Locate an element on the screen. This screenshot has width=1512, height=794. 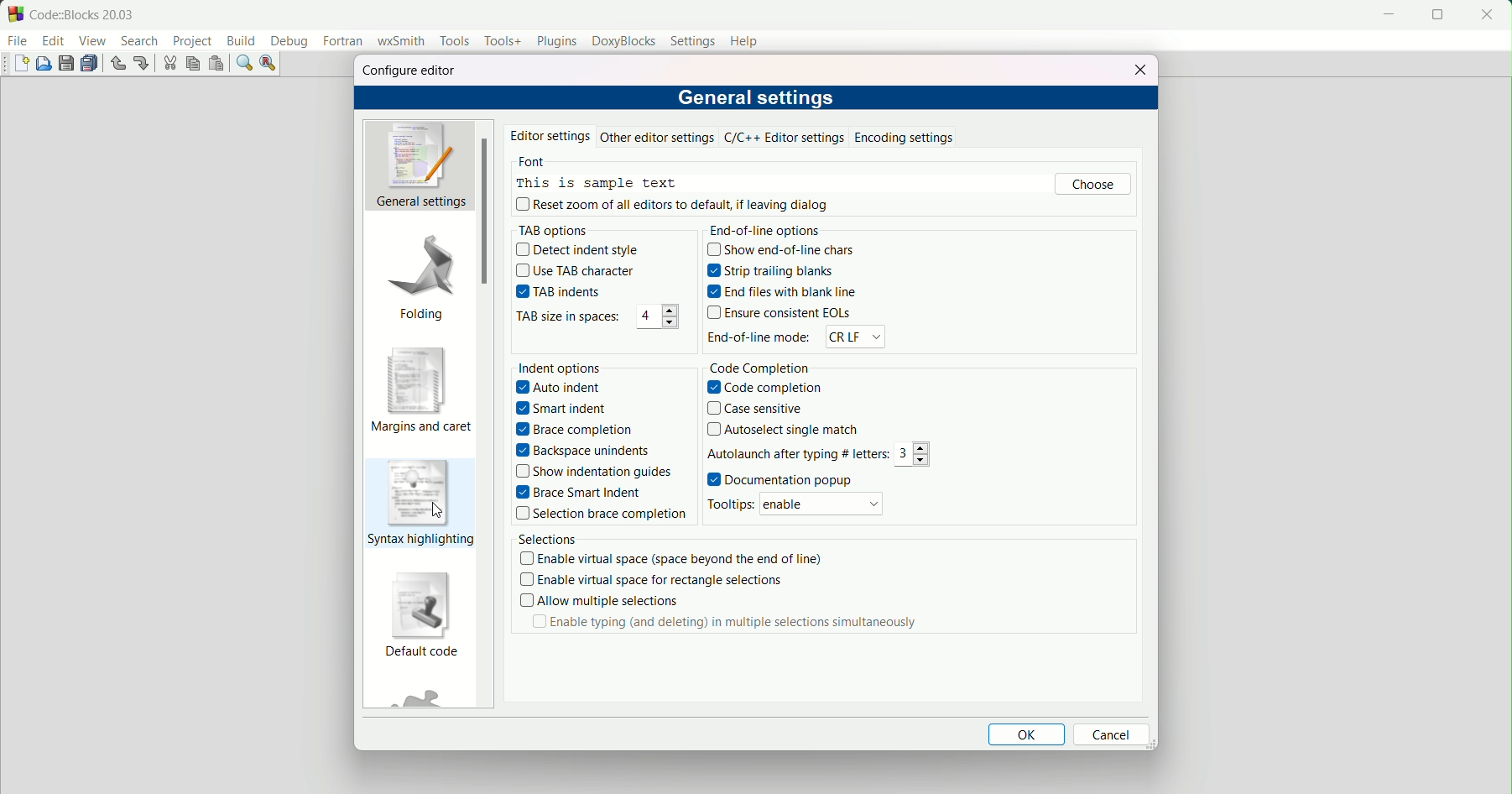
find is located at coordinates (244, 62).